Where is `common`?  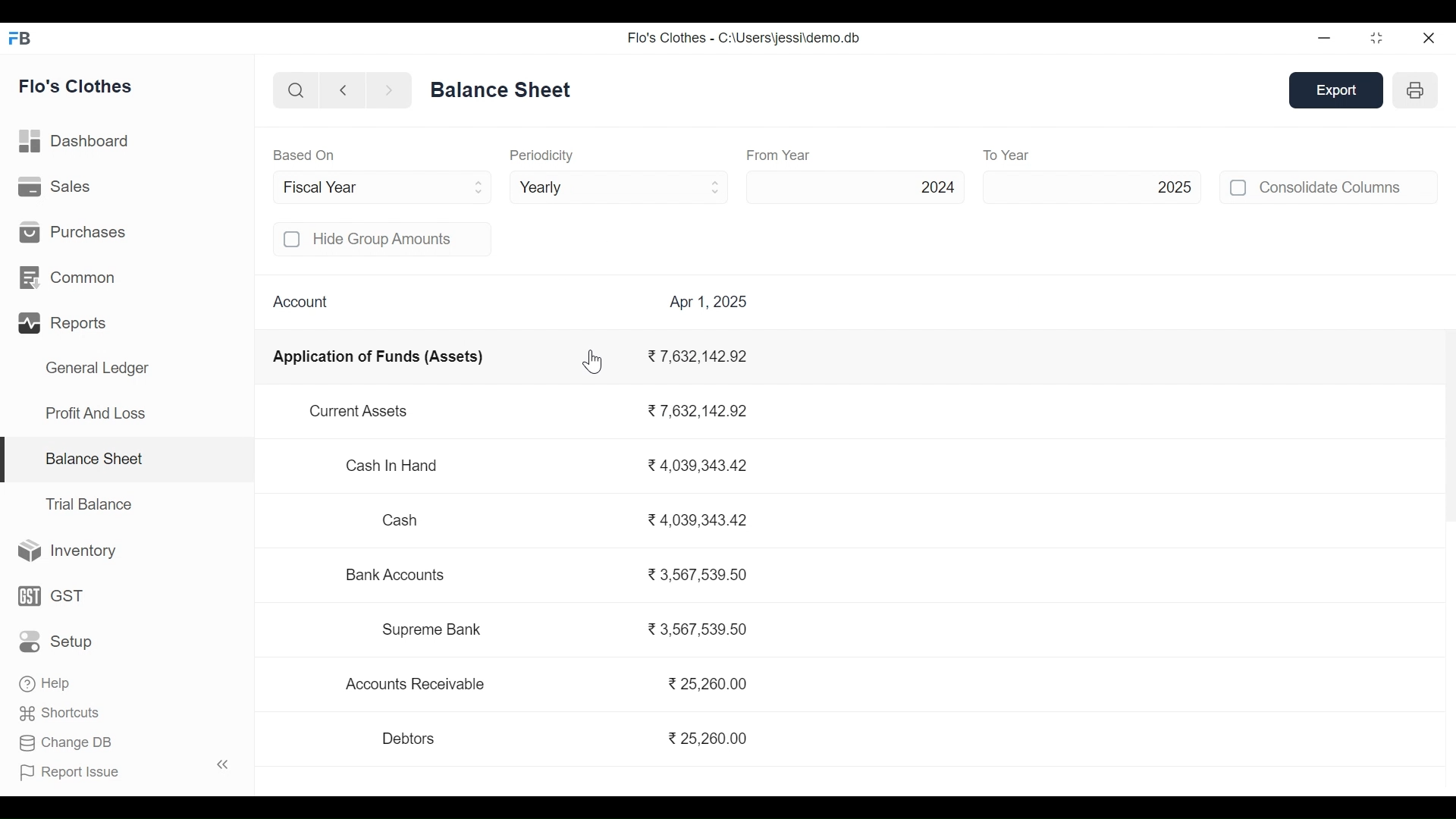
common is located at coordinates (71, 278).